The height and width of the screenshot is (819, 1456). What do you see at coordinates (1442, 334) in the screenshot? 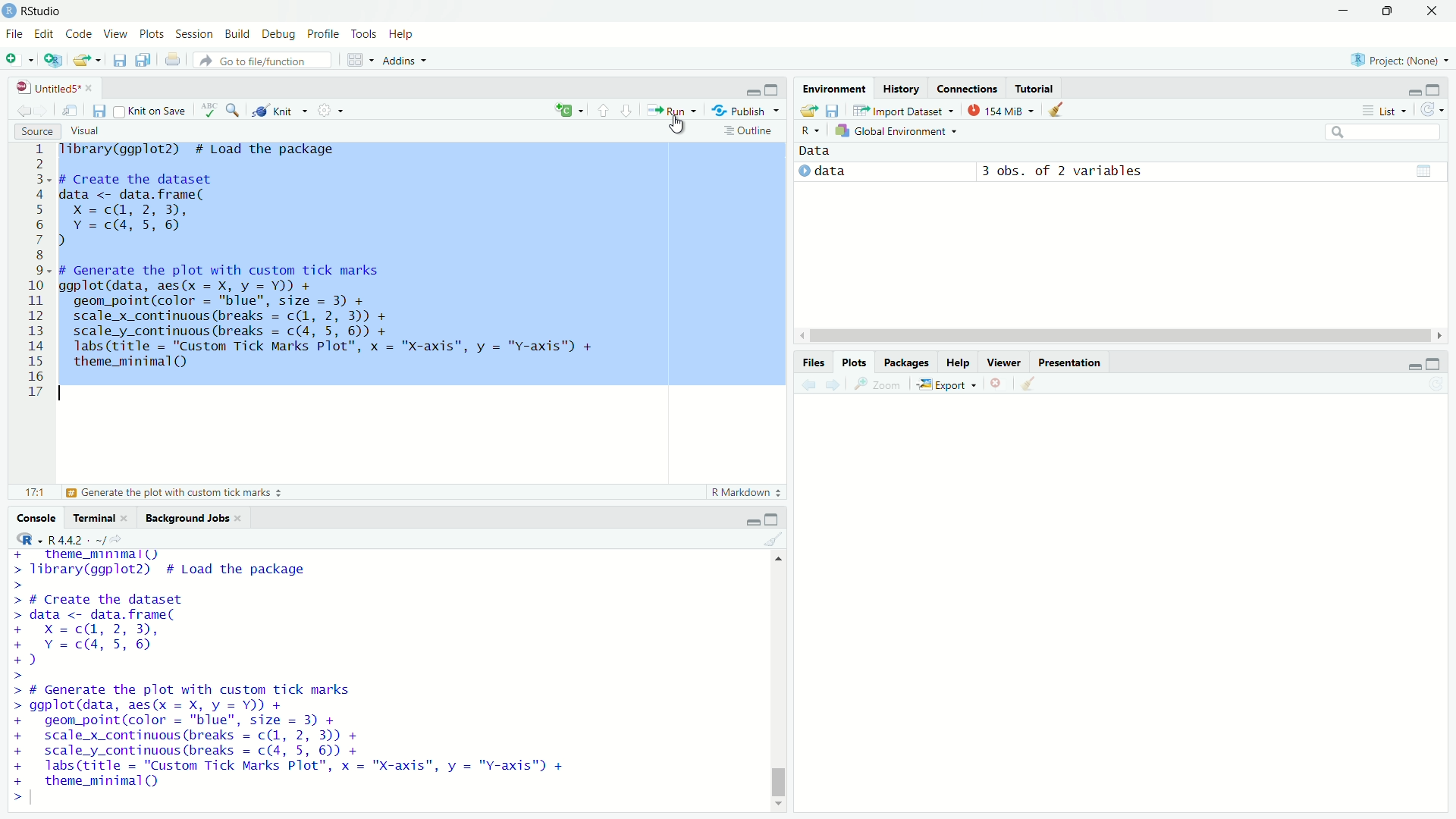
I see `move right` at bounding box center [1442, 334].